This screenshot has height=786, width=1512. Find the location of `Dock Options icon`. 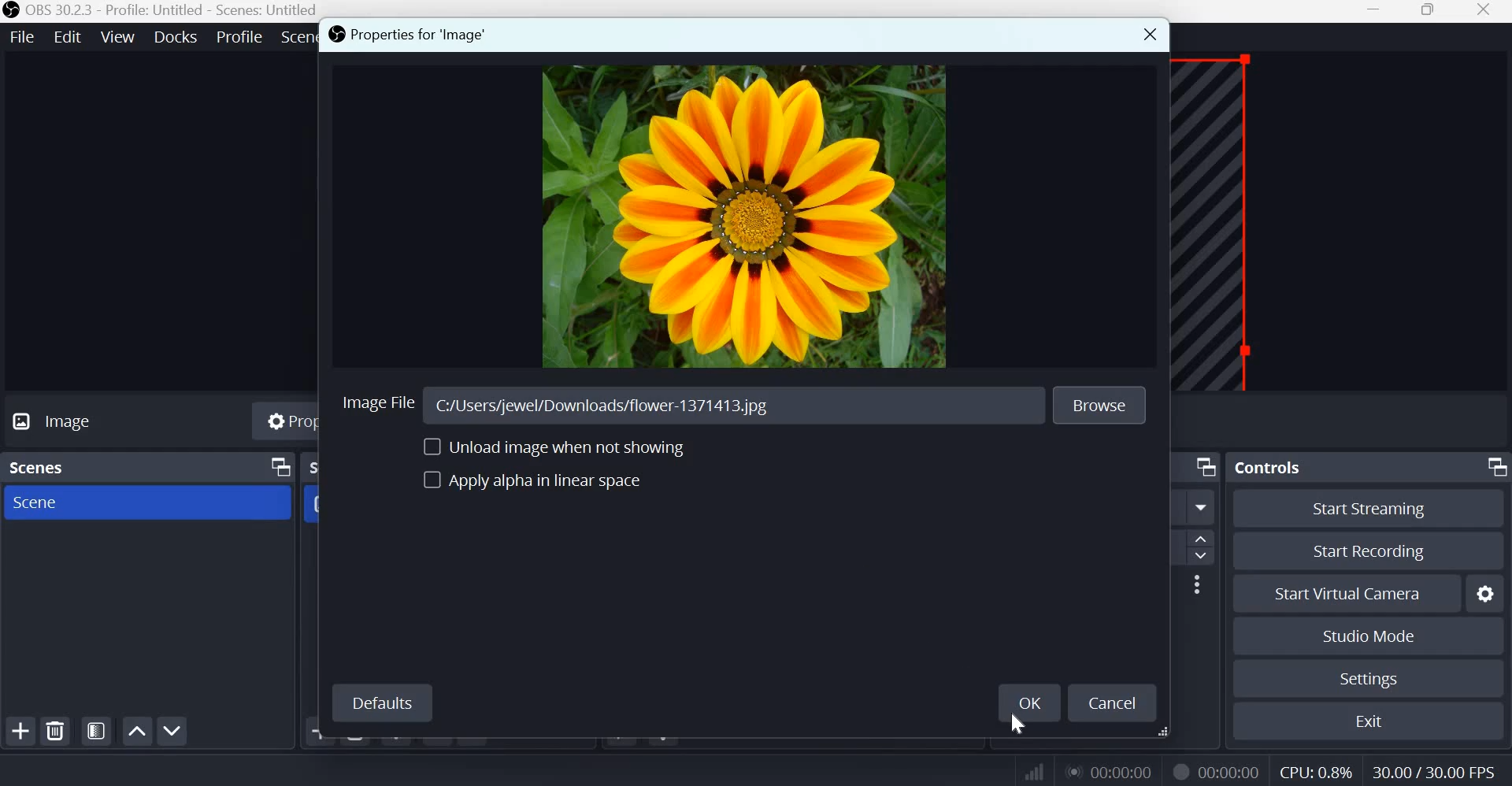

Dock Options icon is located at coordinates (1493, 468).